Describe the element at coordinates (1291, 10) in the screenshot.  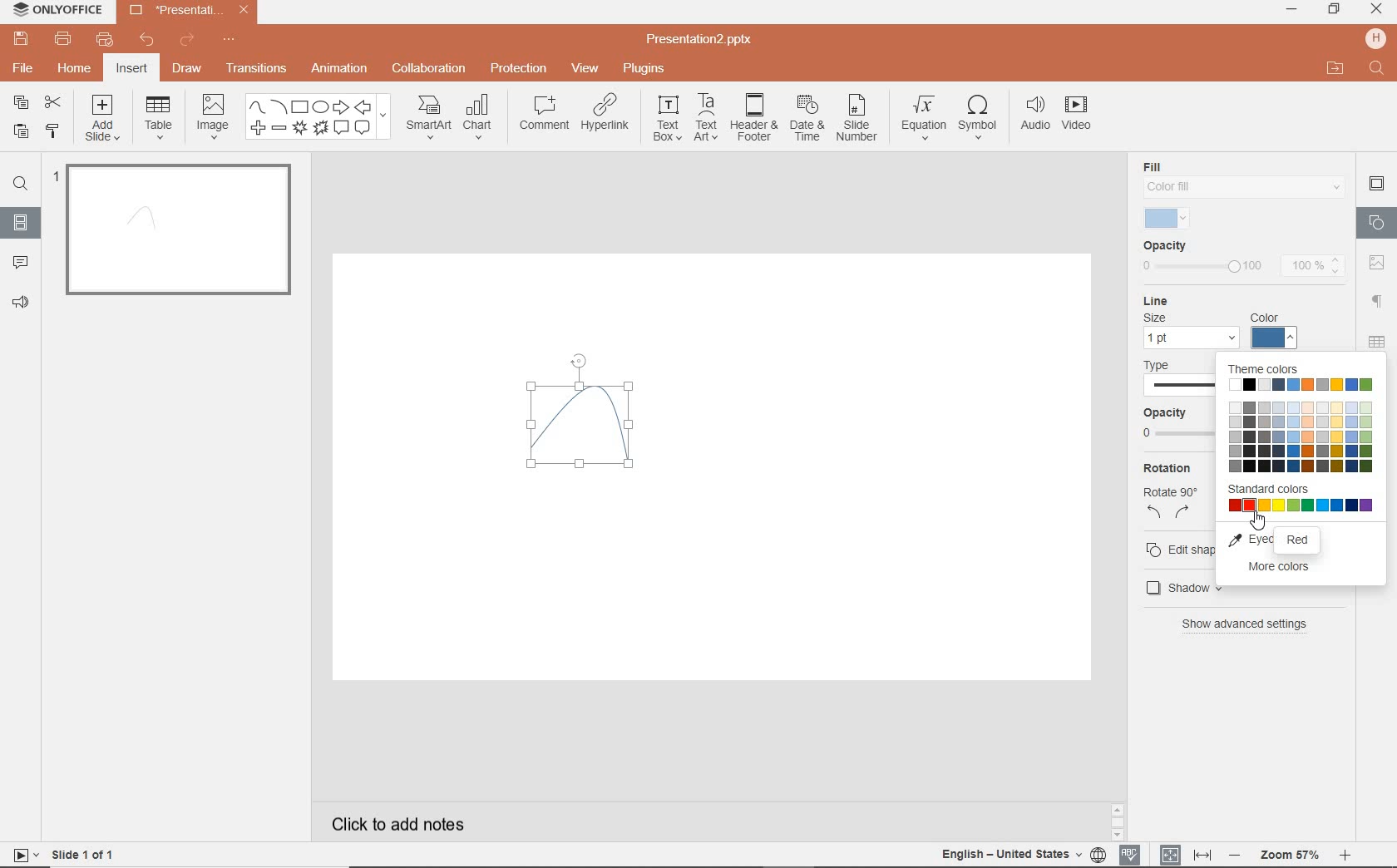
I see `MINIMIZE` at that location.